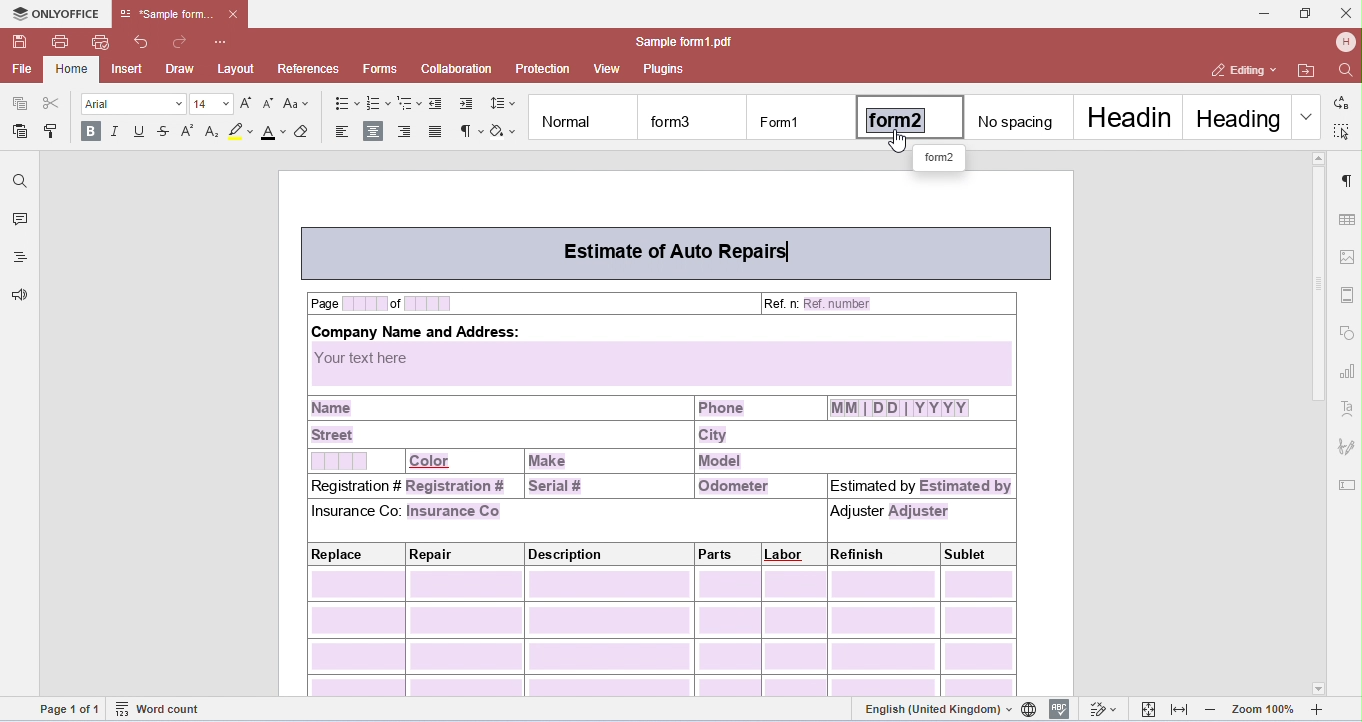 This screenshot has height=722, width=1362. Describe the element at coordinates (1102, 709) in the screenshot. I see `track changes` at that location.